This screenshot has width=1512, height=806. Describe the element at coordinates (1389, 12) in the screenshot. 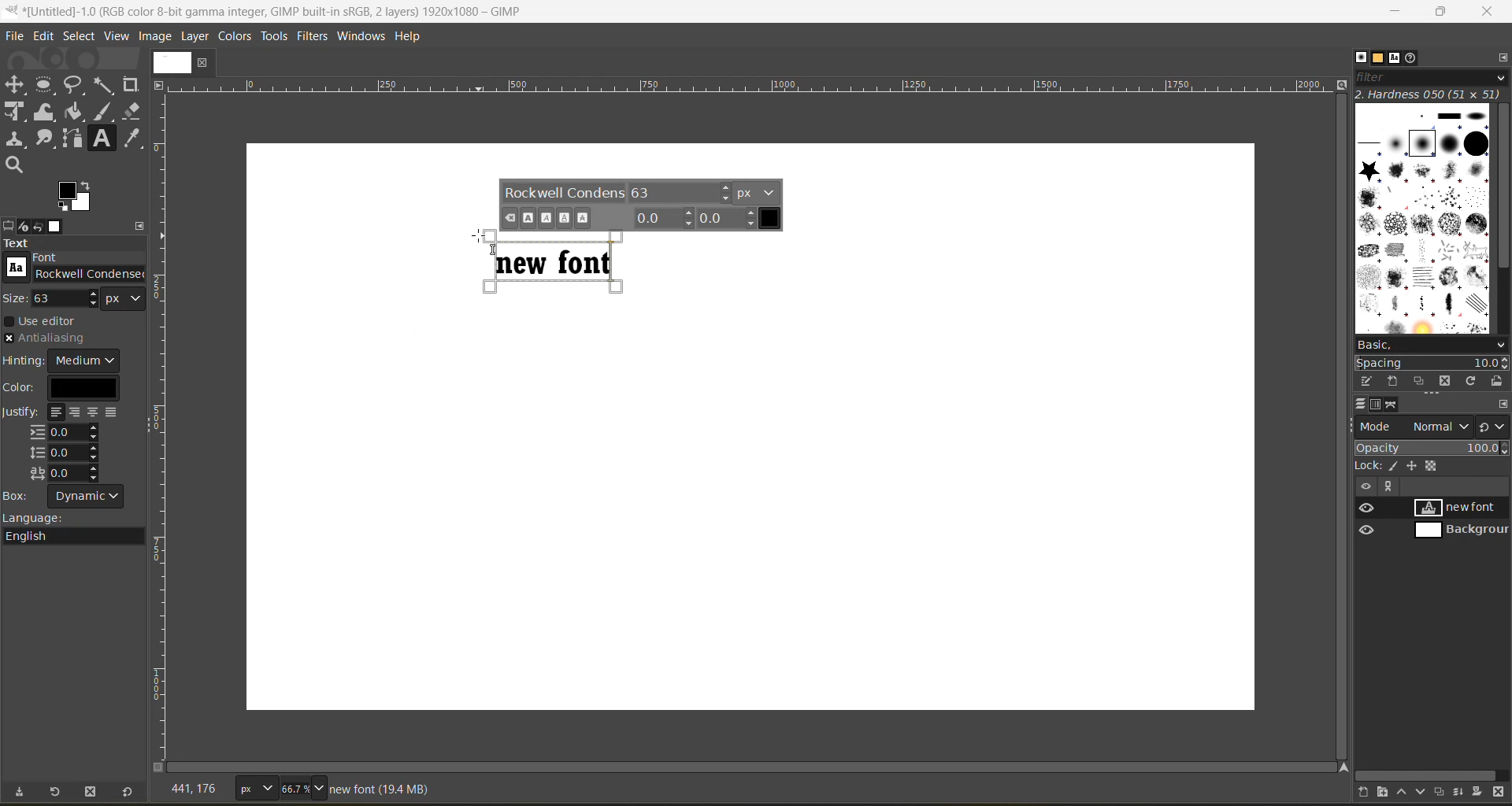

I see `minimize` at that location.